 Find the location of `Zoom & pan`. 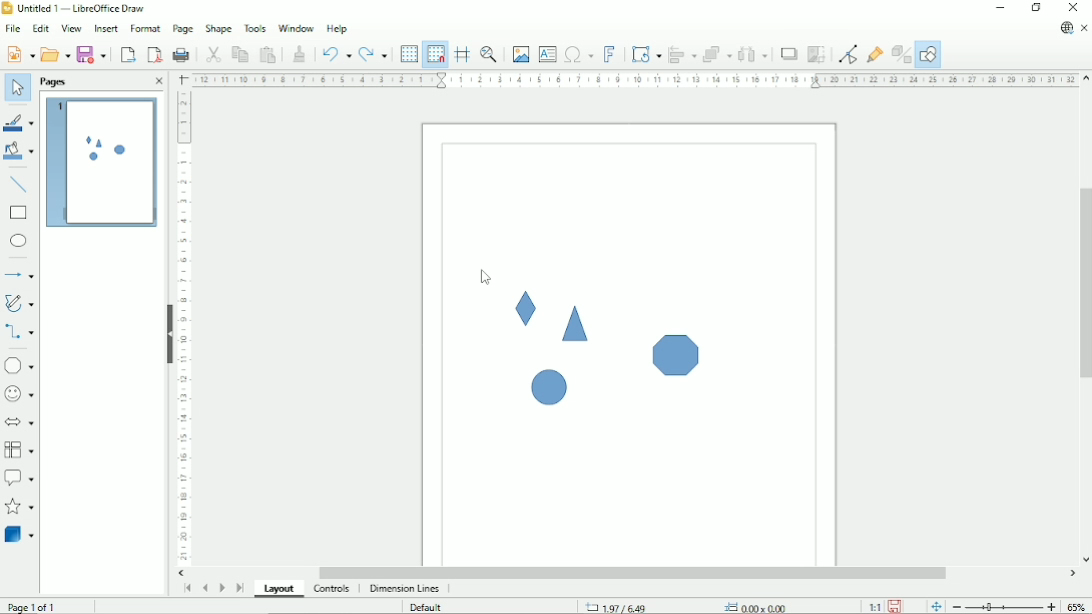

Zoom & pan is located at coordinates (489, 54).